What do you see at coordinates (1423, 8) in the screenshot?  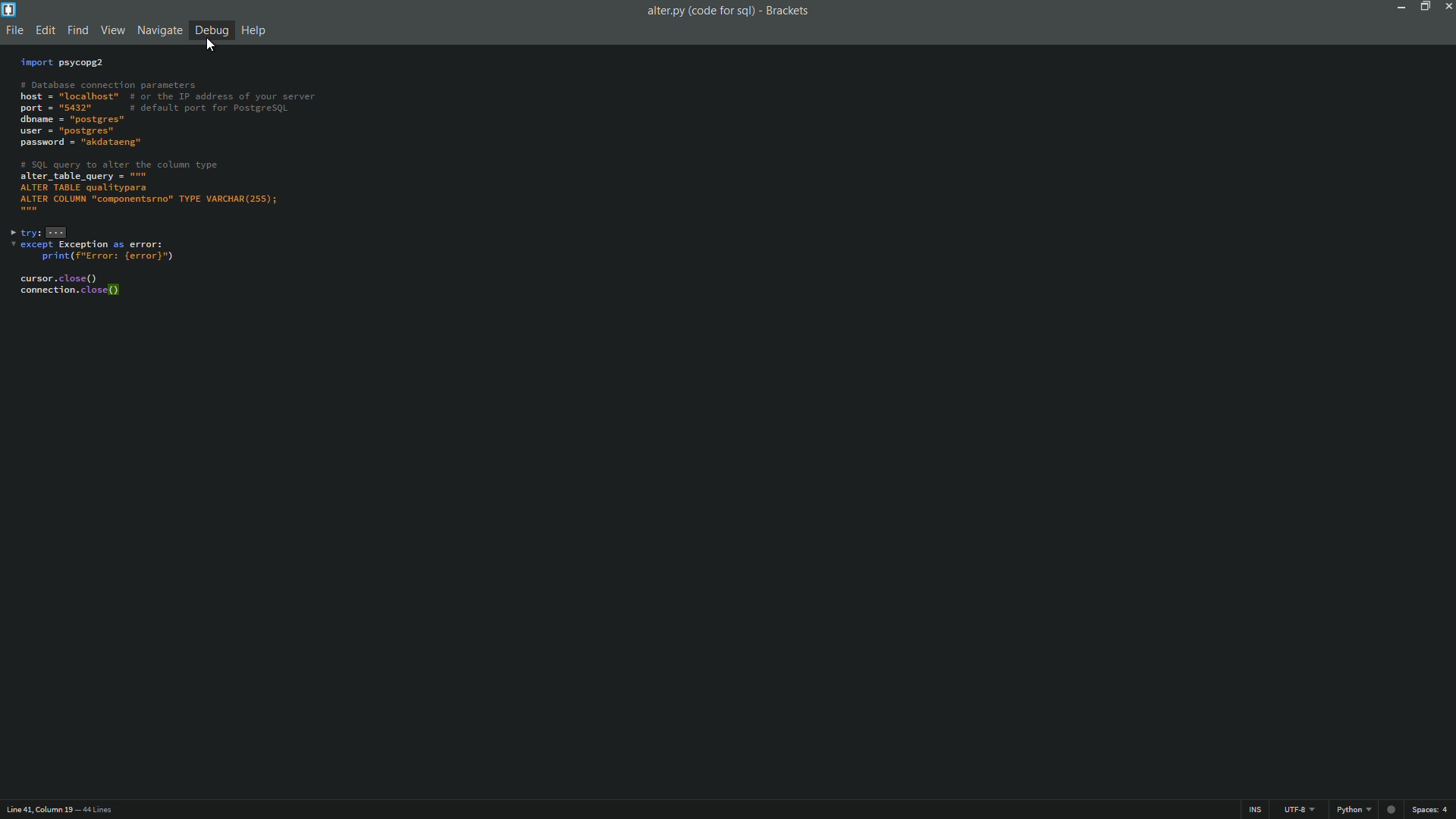 I see `maximize` at bounding box center [1423, 8].